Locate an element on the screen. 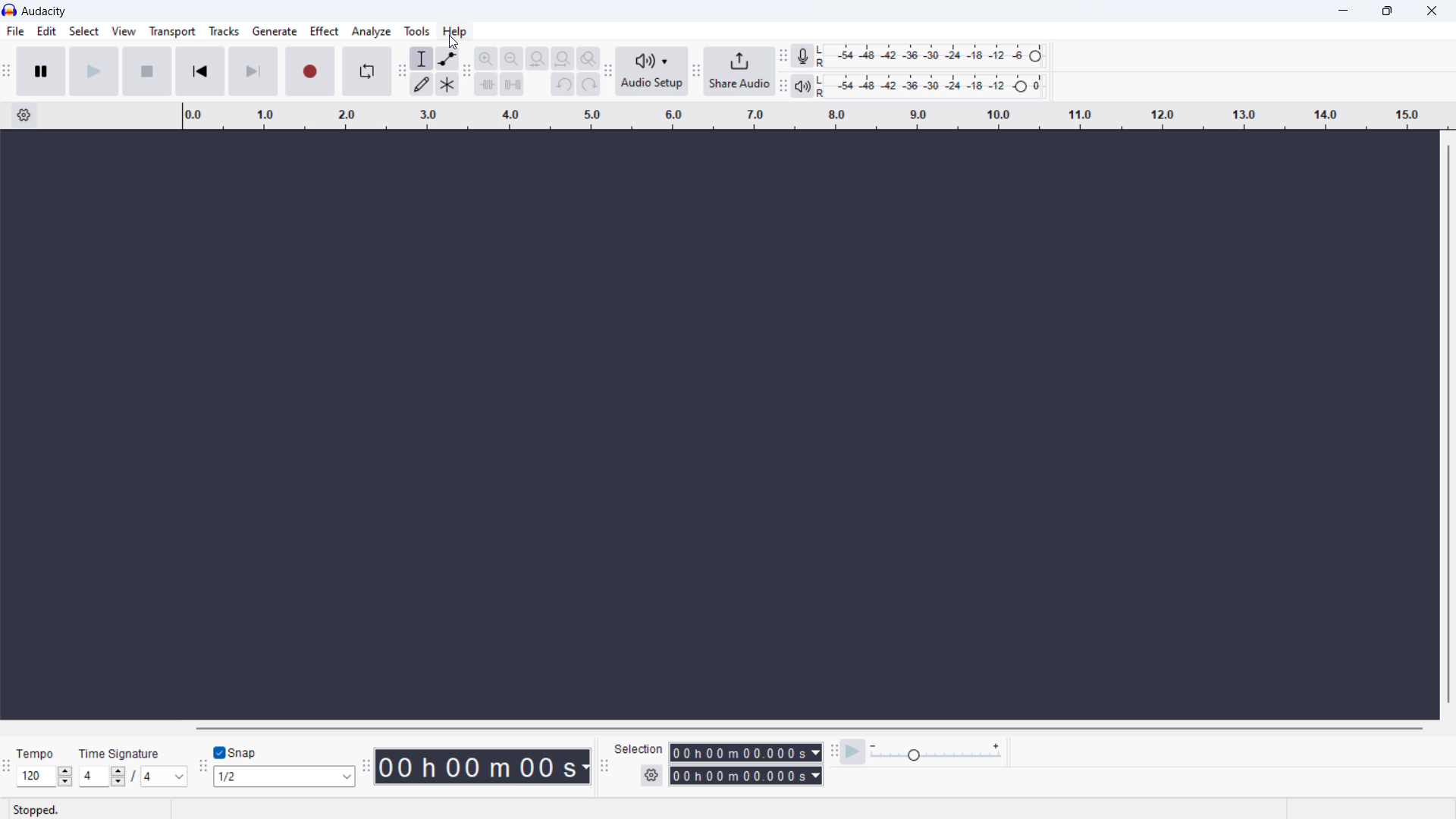 This screenshot has height=819, width=1456. share audio toolbar is located at coordinates (698, 71).